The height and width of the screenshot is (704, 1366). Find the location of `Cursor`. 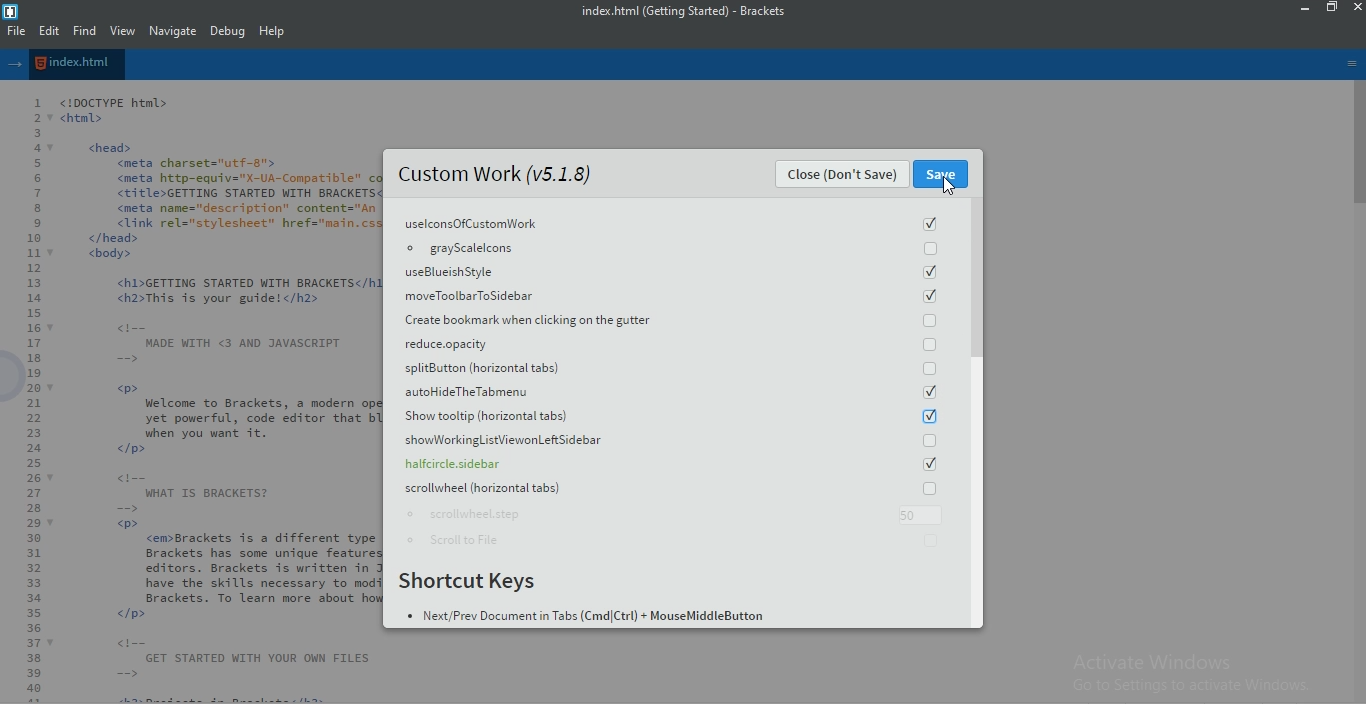

Cursor is located at coordinates (950, 185).